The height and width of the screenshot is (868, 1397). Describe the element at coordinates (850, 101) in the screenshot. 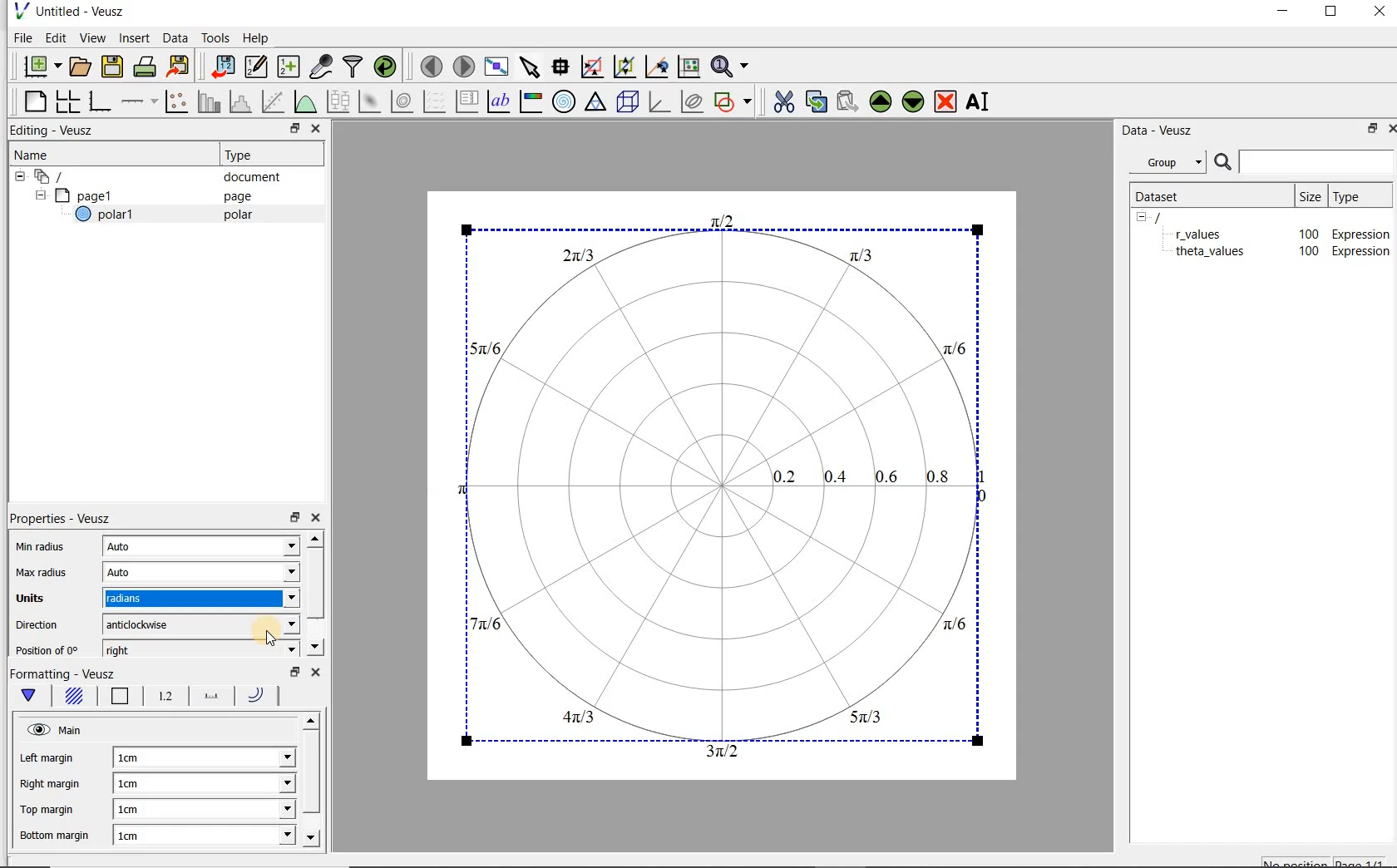

I see `Paste widget from the clipboard` at that location.